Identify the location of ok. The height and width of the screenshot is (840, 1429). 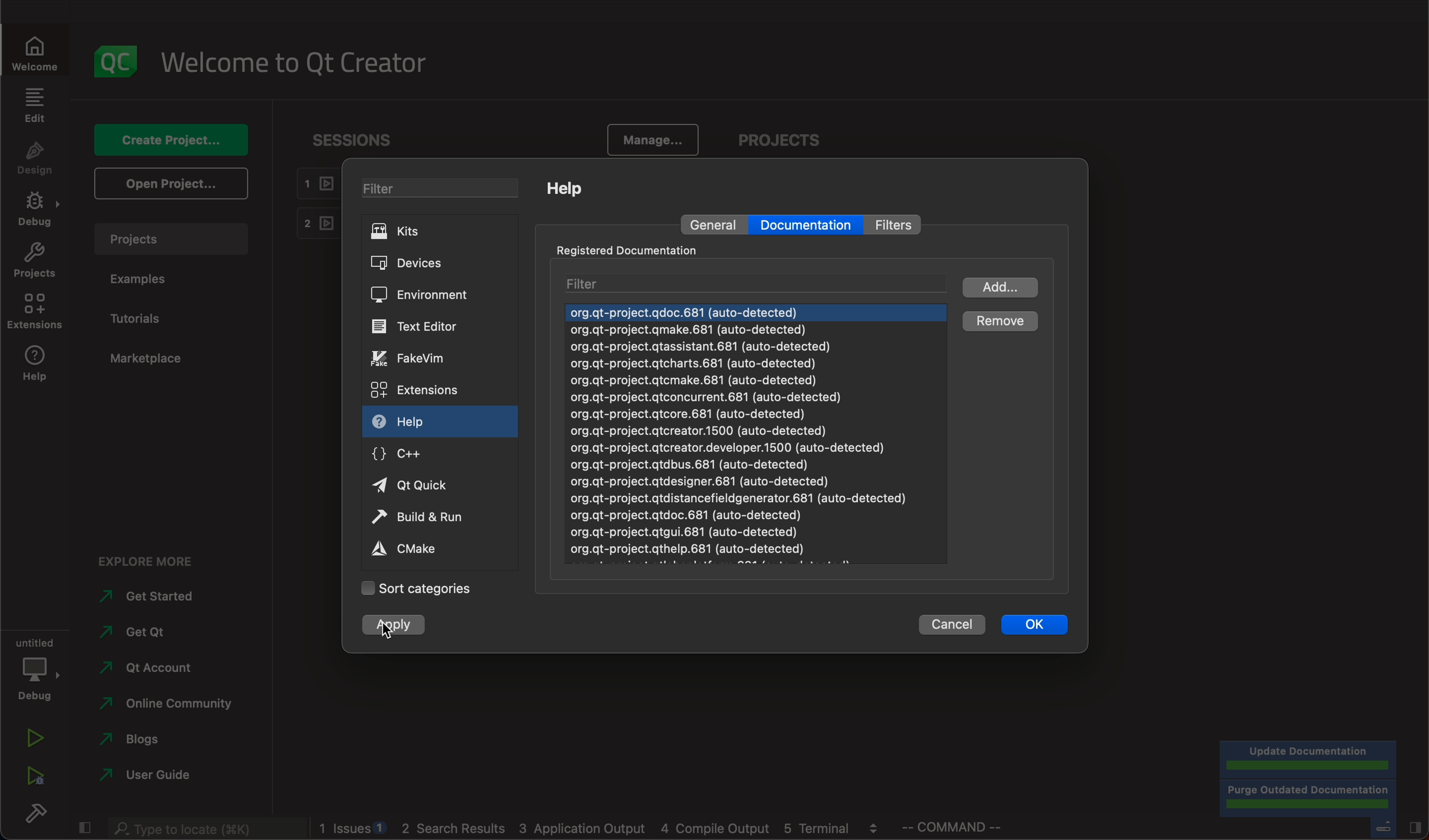
(1033, 625).